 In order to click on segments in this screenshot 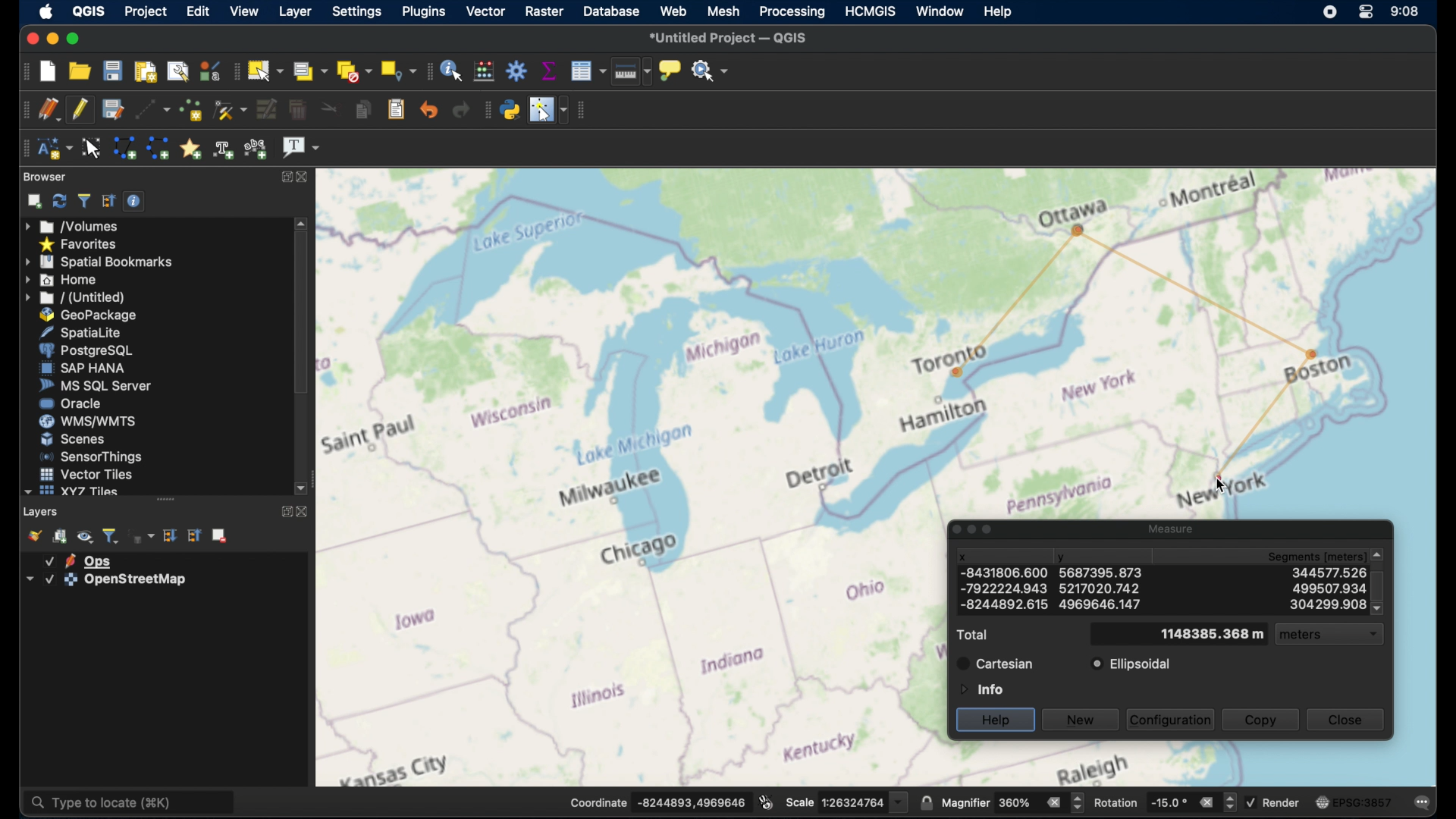, I will do `click(1328, 604)`.